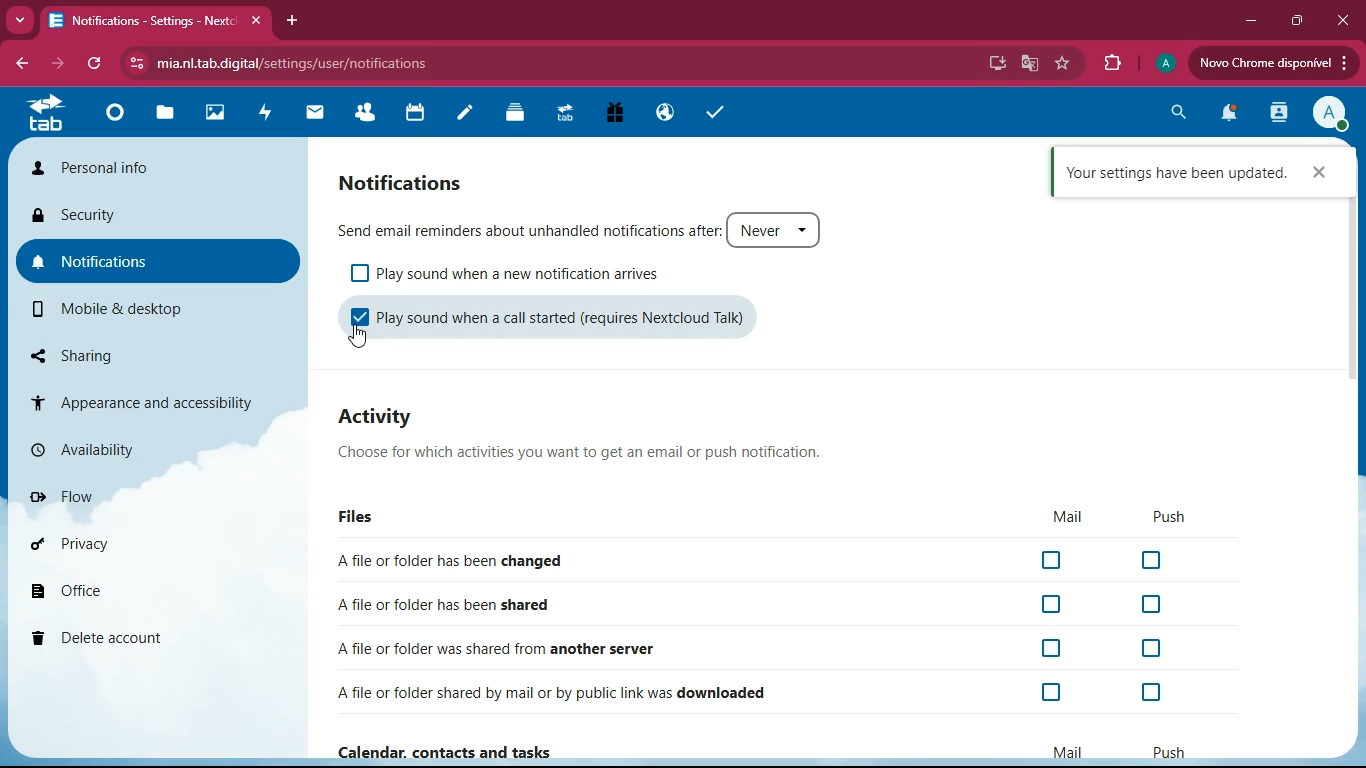 This screenshot has height=768, width=1366. What do you see at coordinates (1113, 61) in the screenshot?
I see `extensions` at bounding box center [1113, 61].